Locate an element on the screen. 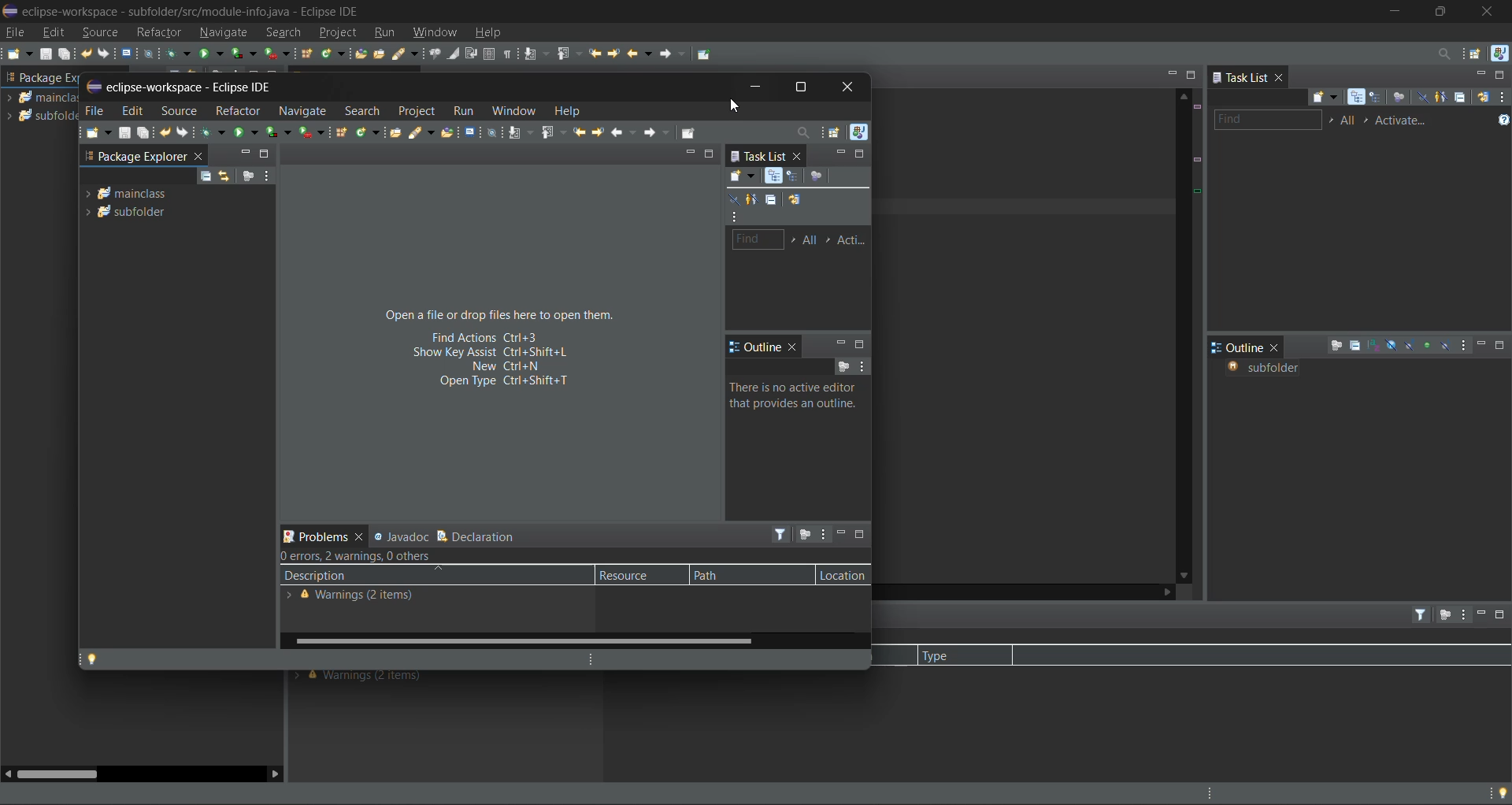 This screenshot has width=1512, height=805. edit task working sheets is located at coordinates (810, 239).